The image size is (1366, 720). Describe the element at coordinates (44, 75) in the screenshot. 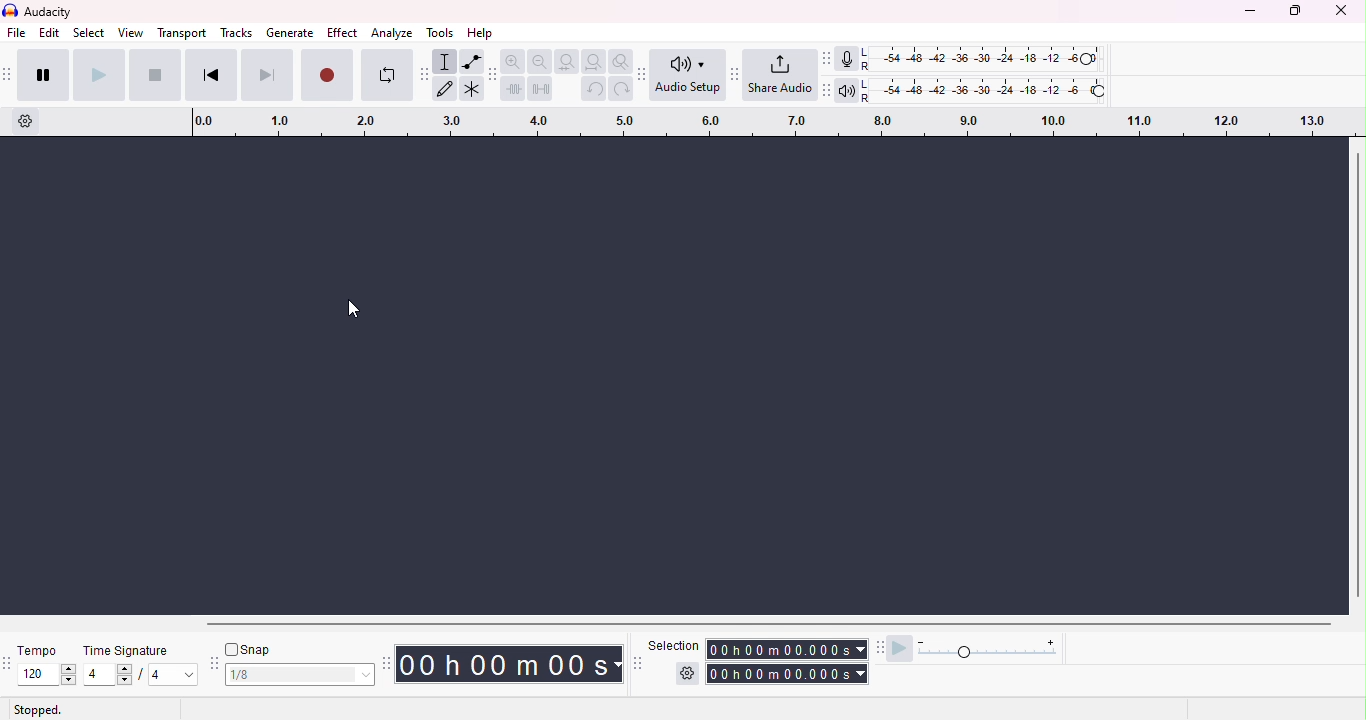

I see `pause` at that location.